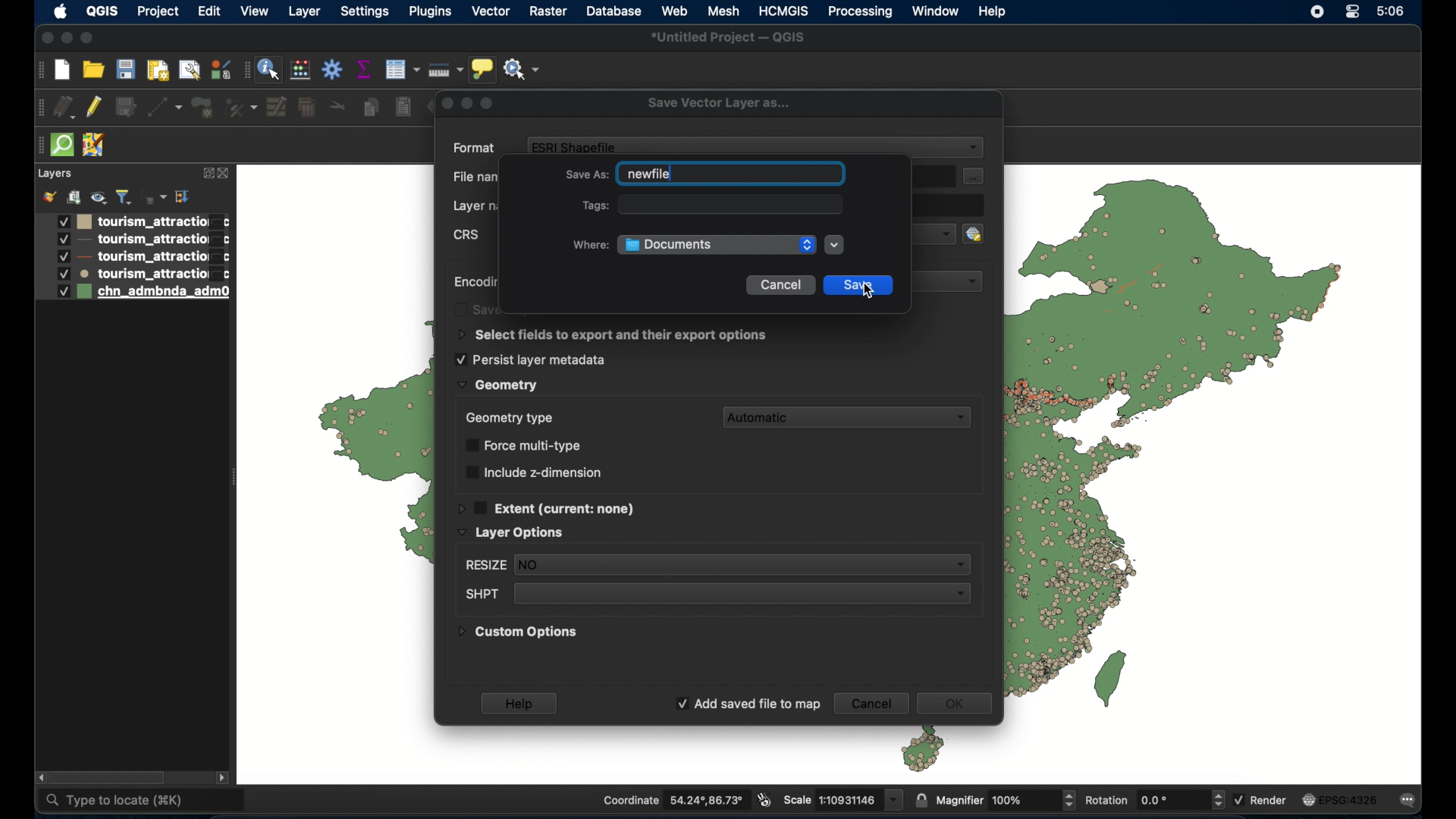 The height and width of the screenshot is (819, 1456). Describe the element at coordinates (478, 309) in the screenshot. I see `obscured text` at that location.